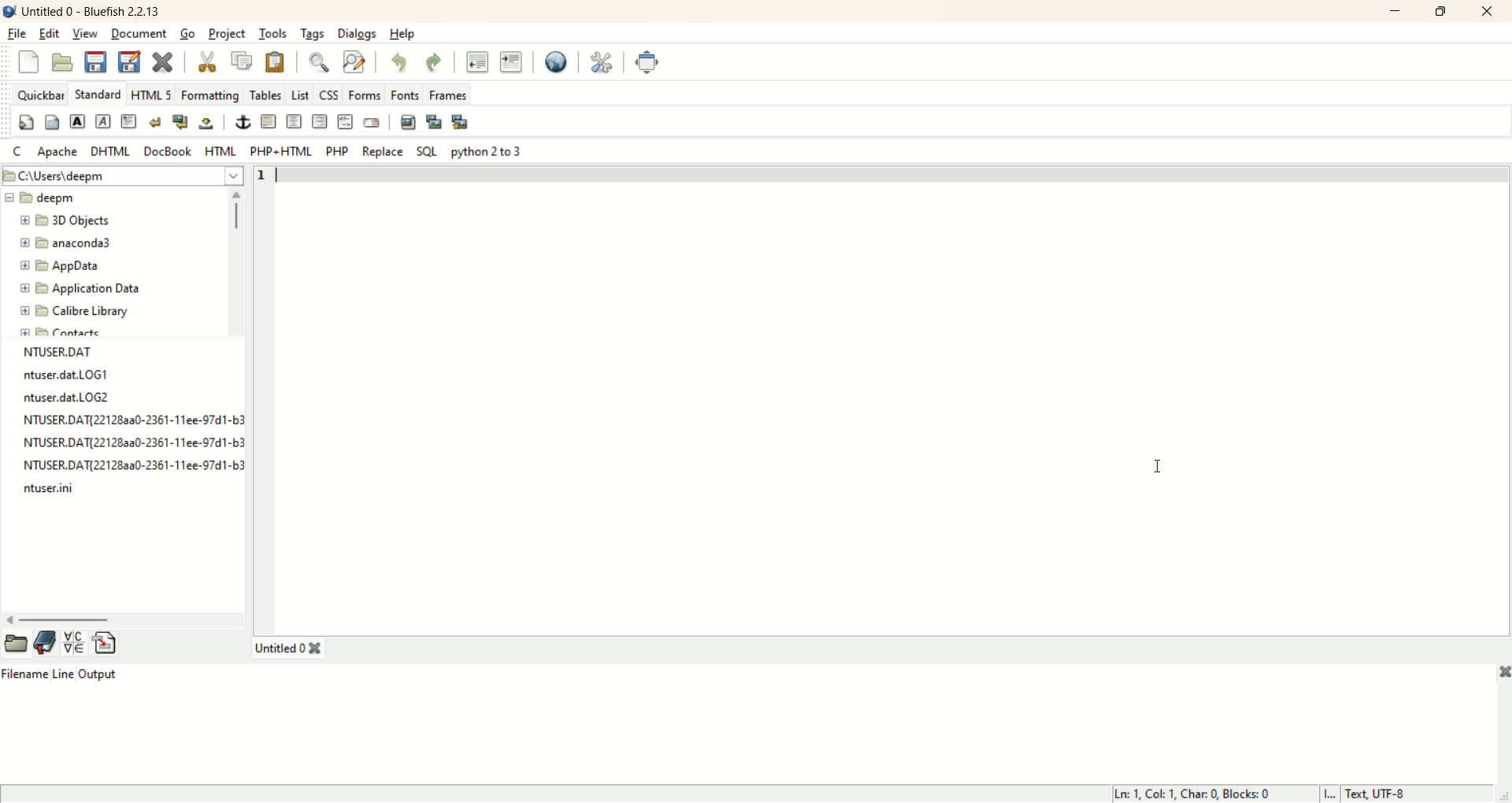  What do you see at coordinates (76, 122) in the screenshot?
I see `strong` at bounding box center [76, 122].